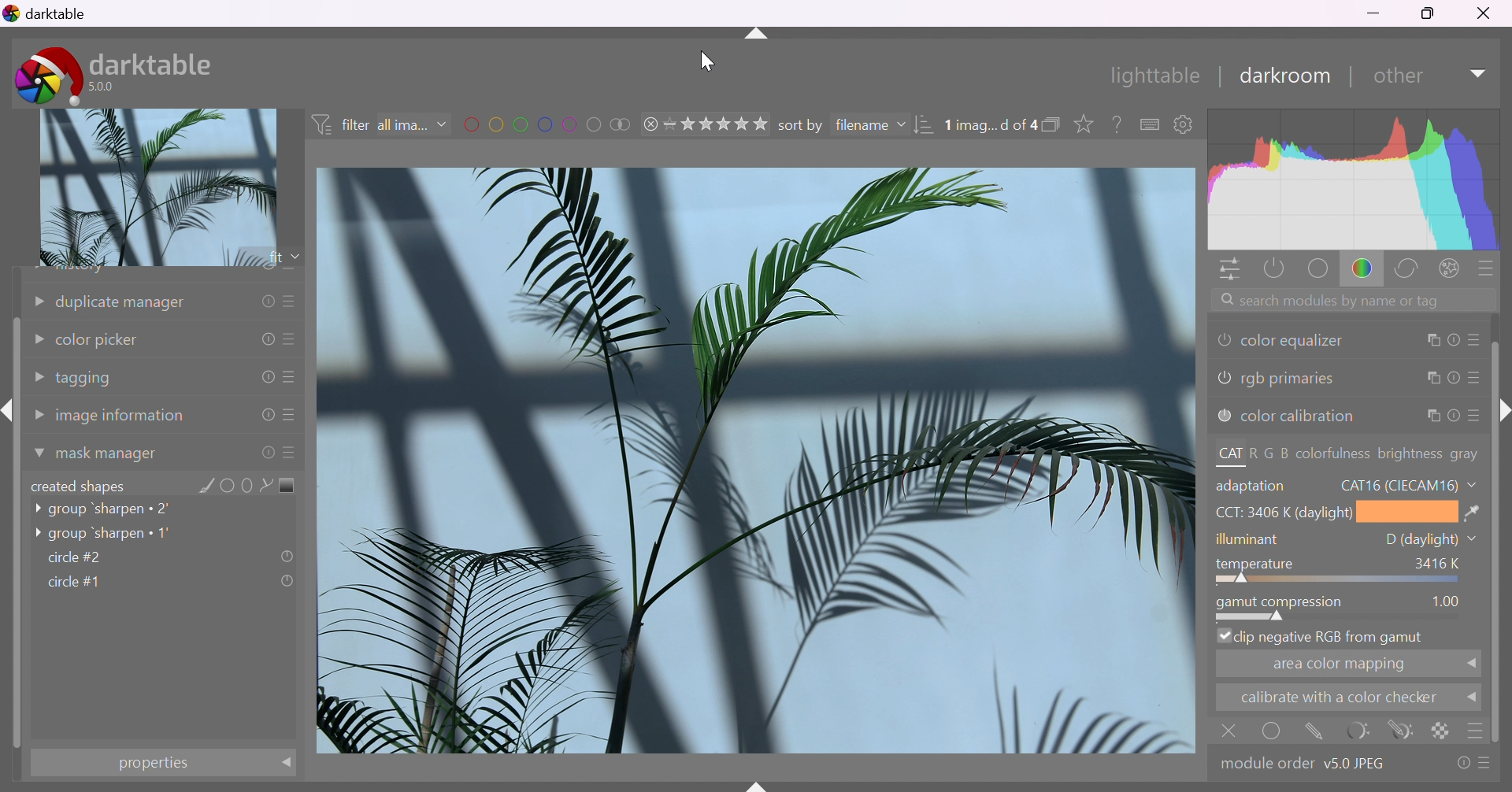  Describe the element at coordinates (1346, 540) in the screenshot. I see `illuminant` at that location.